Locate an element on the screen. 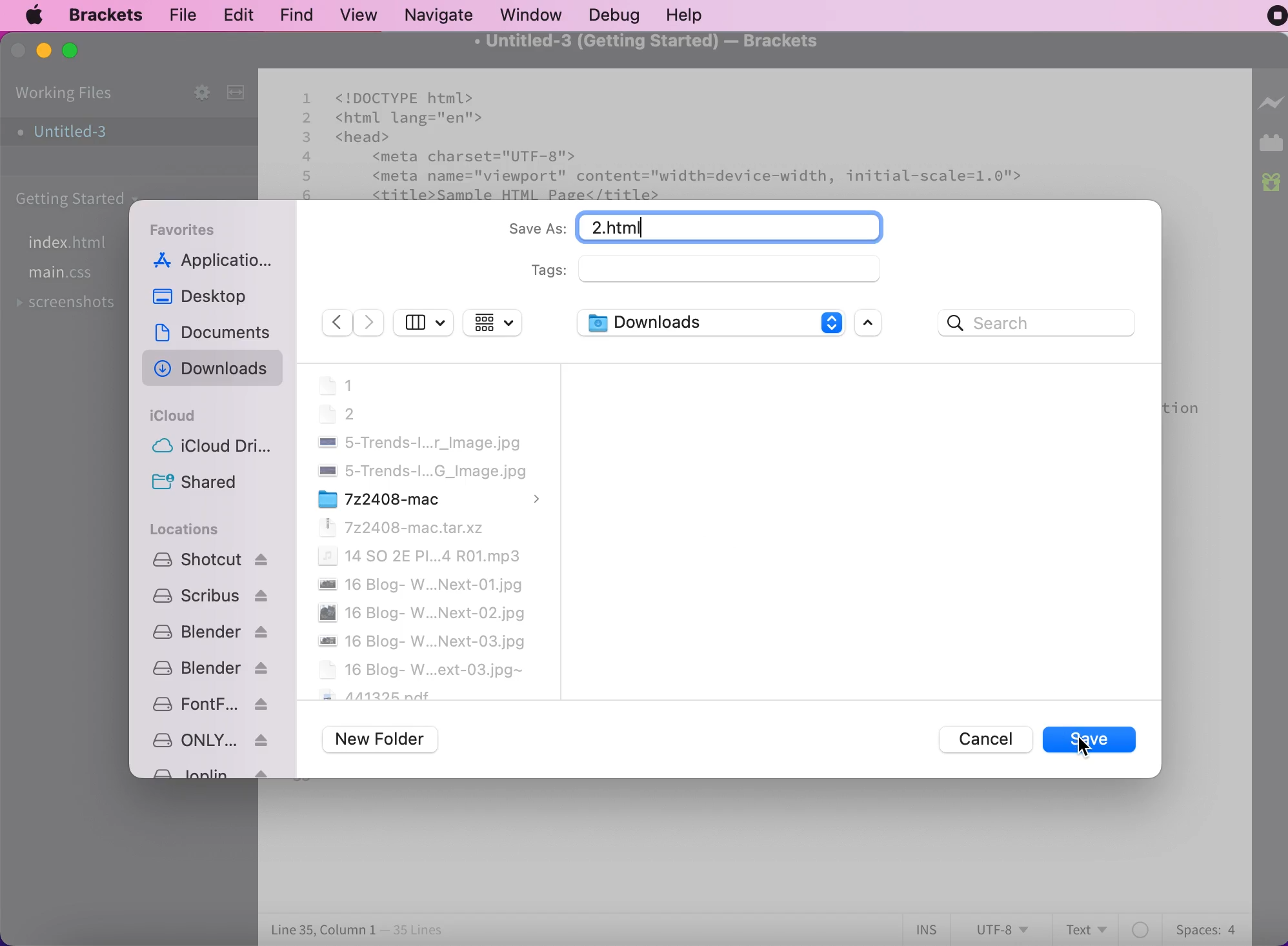 Image resolution: width=1288 pixels, height=946 pixels. recording stopped is located at coordinates (1277, 17).